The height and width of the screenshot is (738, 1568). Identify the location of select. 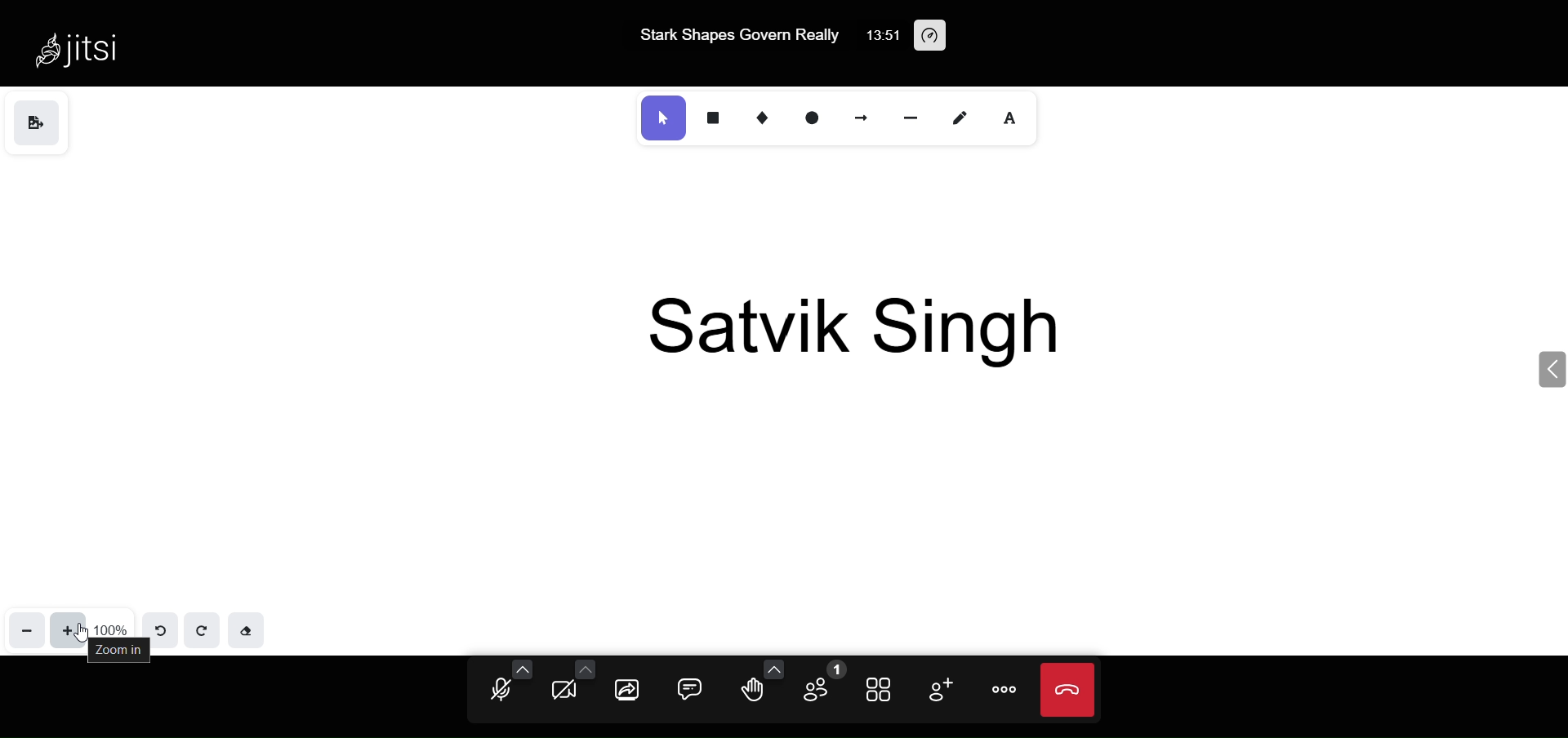
(662, 117).